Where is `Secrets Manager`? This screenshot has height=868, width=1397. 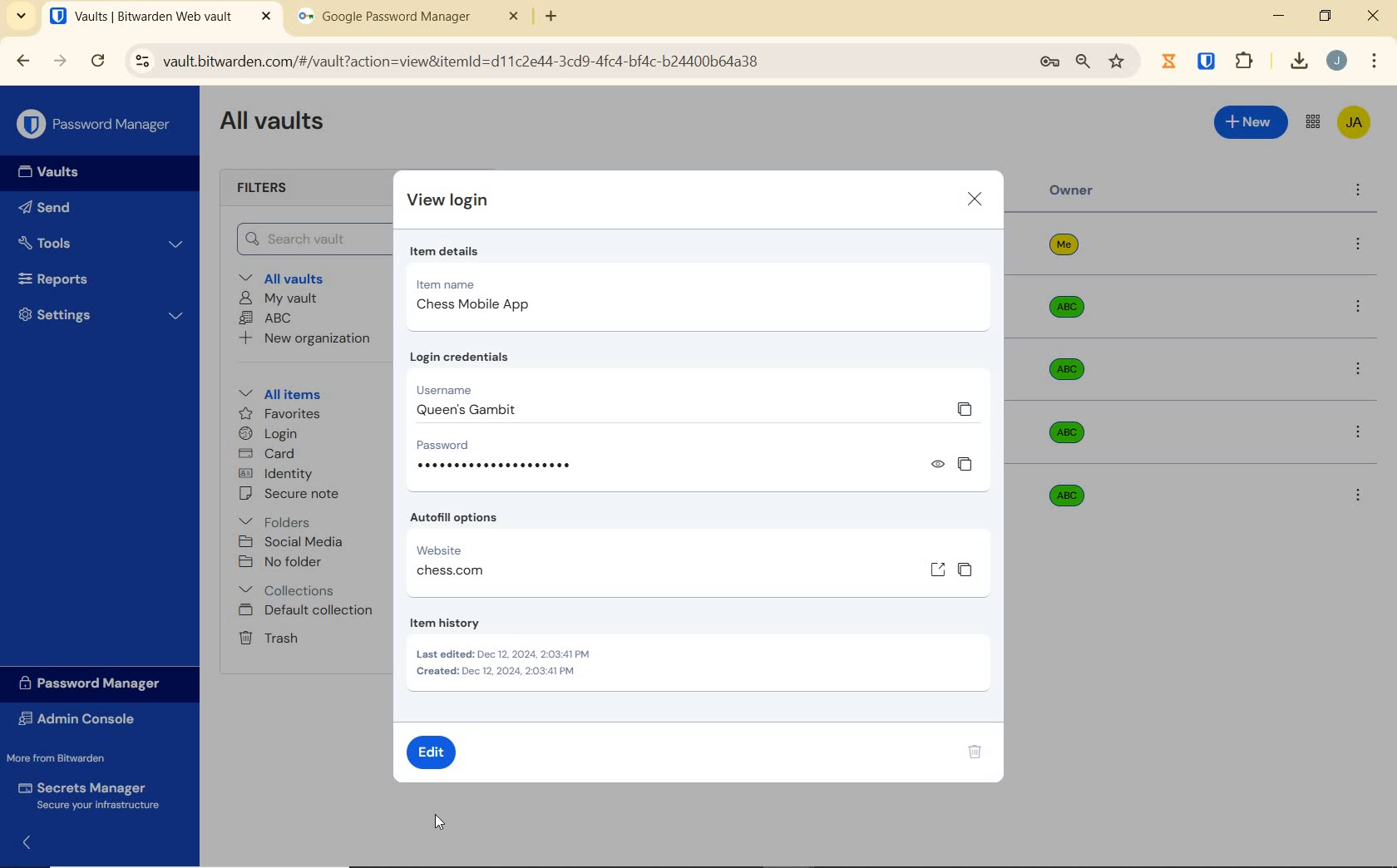
Secrets Manager is located at coordinates (86, 796).